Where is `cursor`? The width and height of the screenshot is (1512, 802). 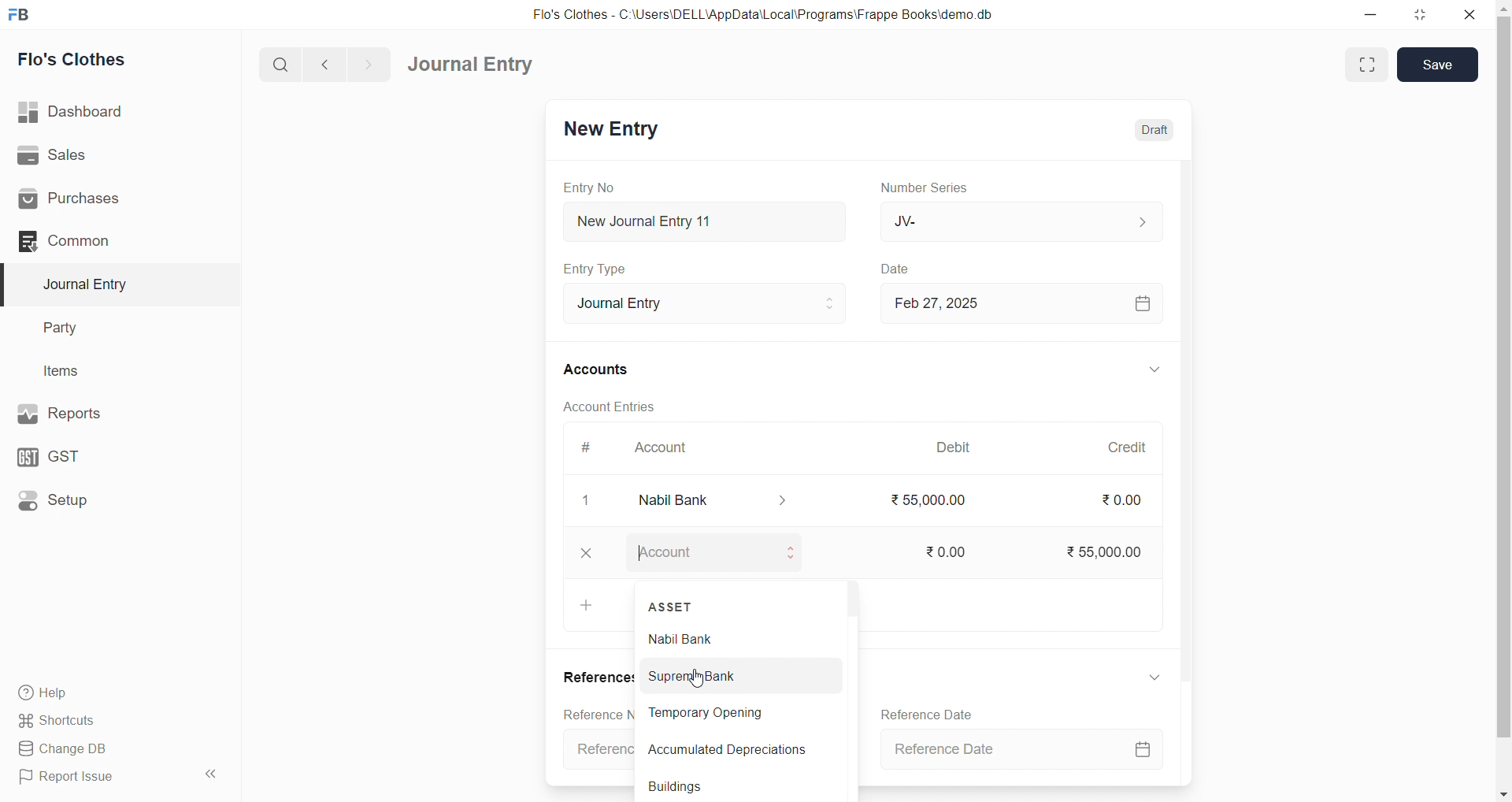
cursor is located at coordinates (698, 674).